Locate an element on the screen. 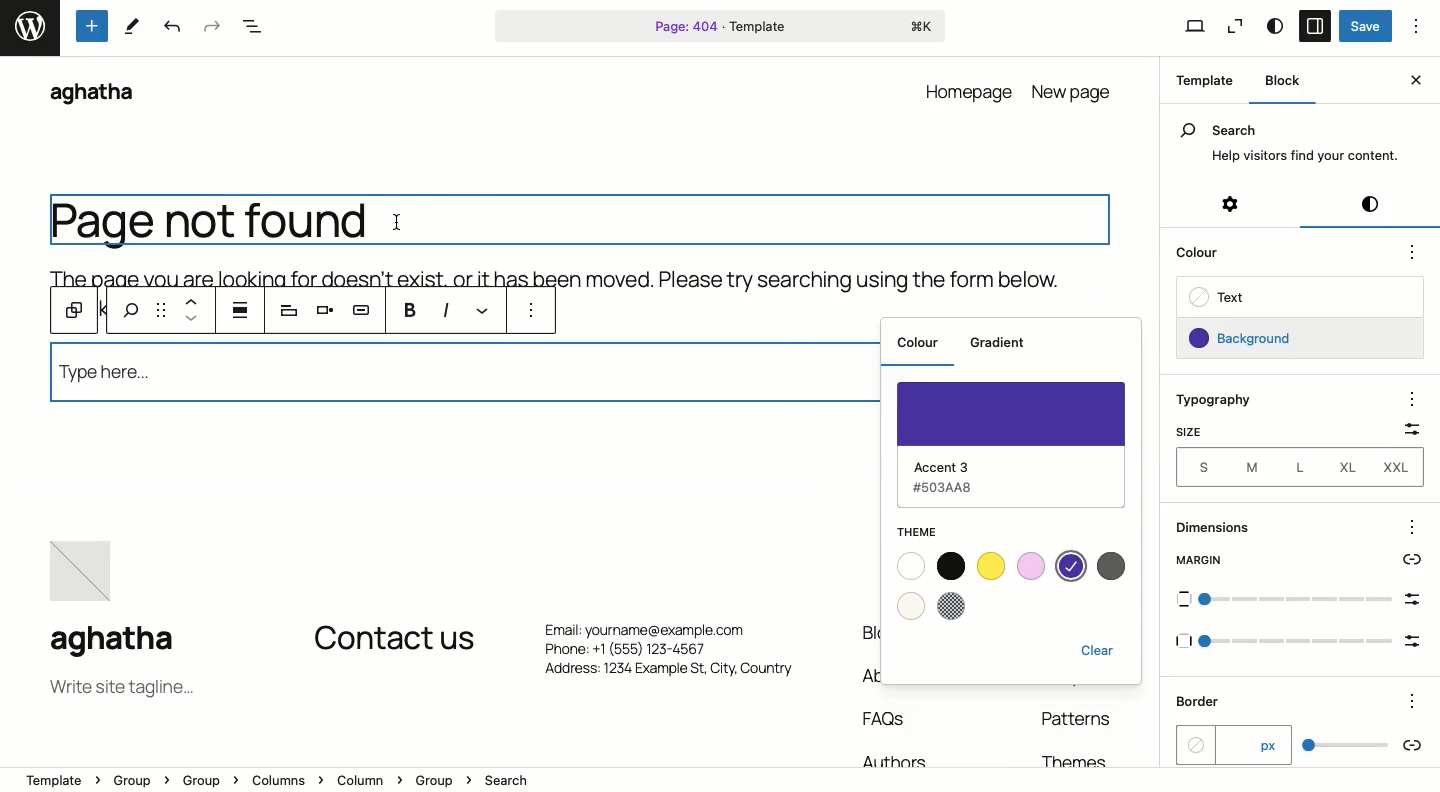 This screenshot has width=1440, height=792. Border is located at coordinates (1202, 702).